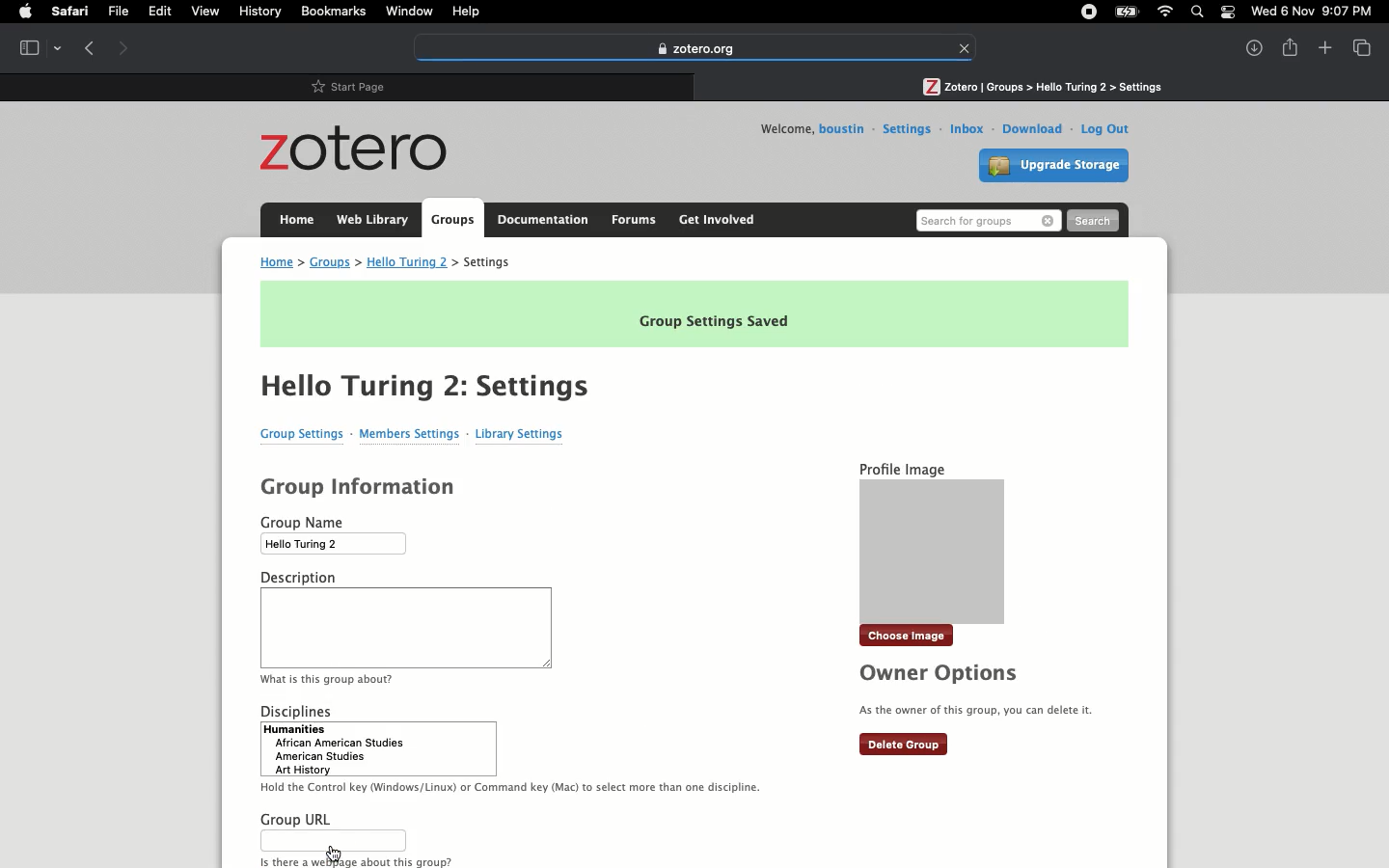  I want to click on Web library, so click(371, 219).